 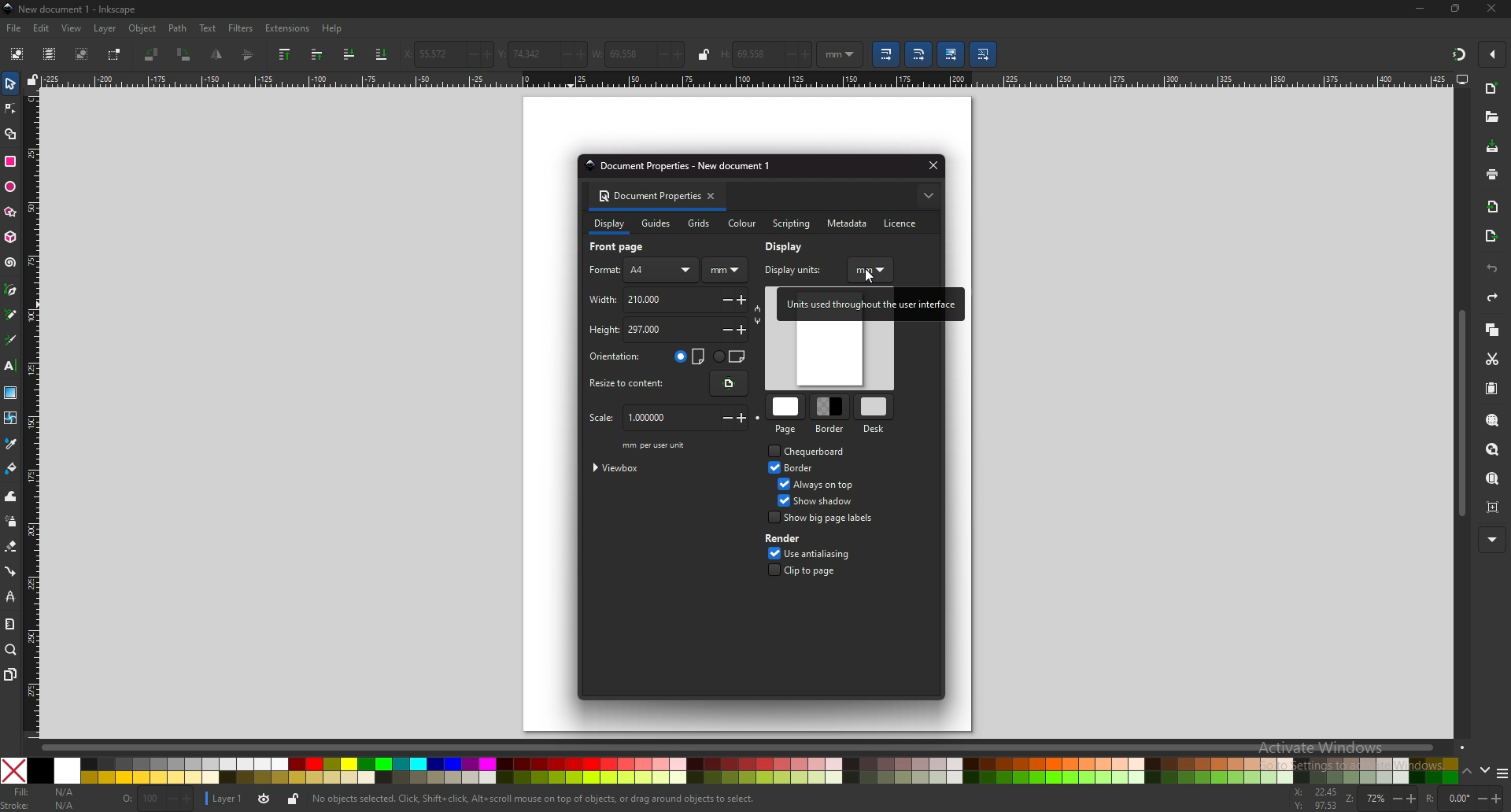 What do you see at coordinates (241, 28) in the screenshot?
I see `filters` at bounding box center [241, 28].